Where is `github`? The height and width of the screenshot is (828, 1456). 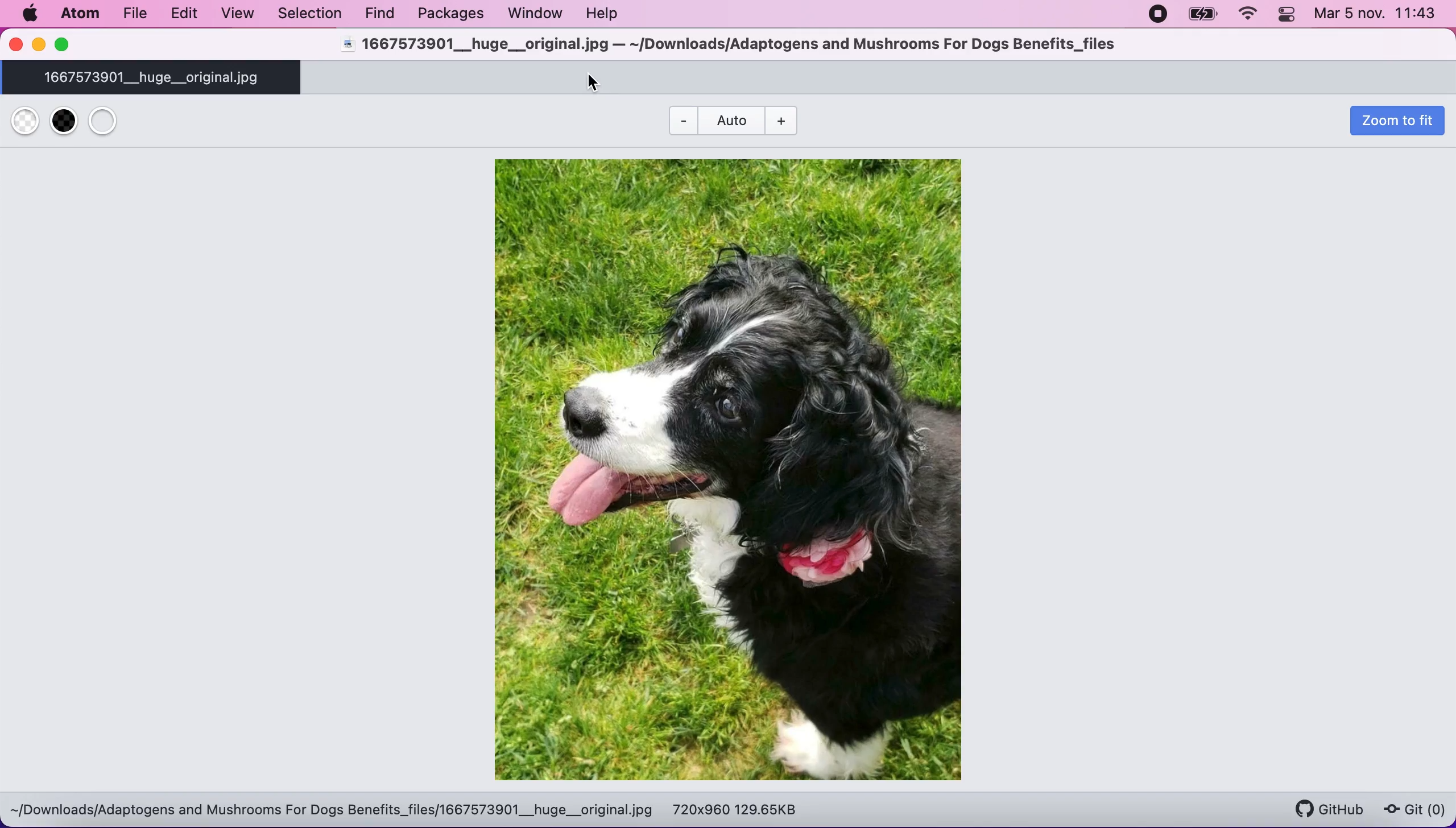
github is located at coordinates (1324, 804).